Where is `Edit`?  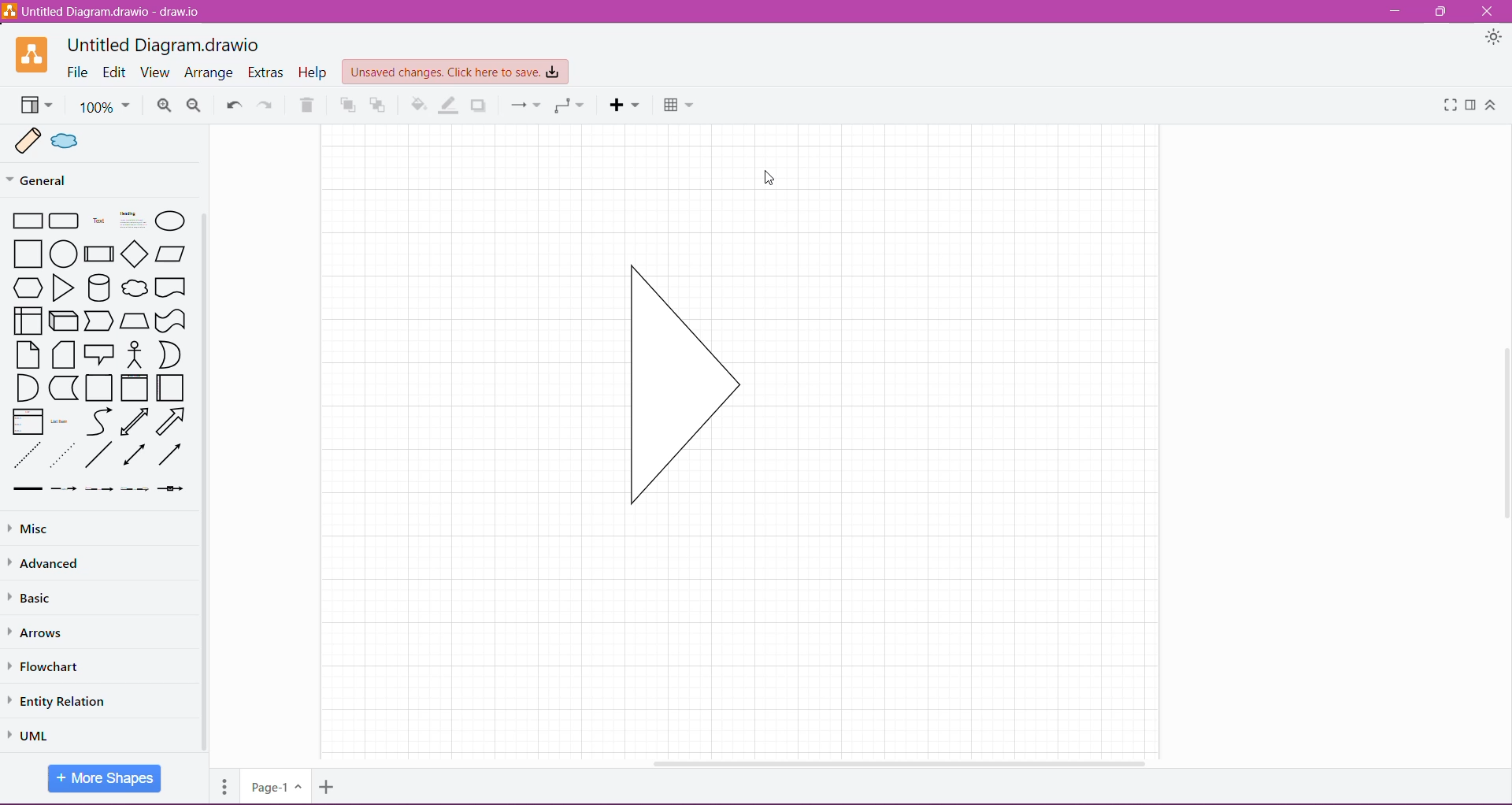
Edit is located at coordinates (115, 72).